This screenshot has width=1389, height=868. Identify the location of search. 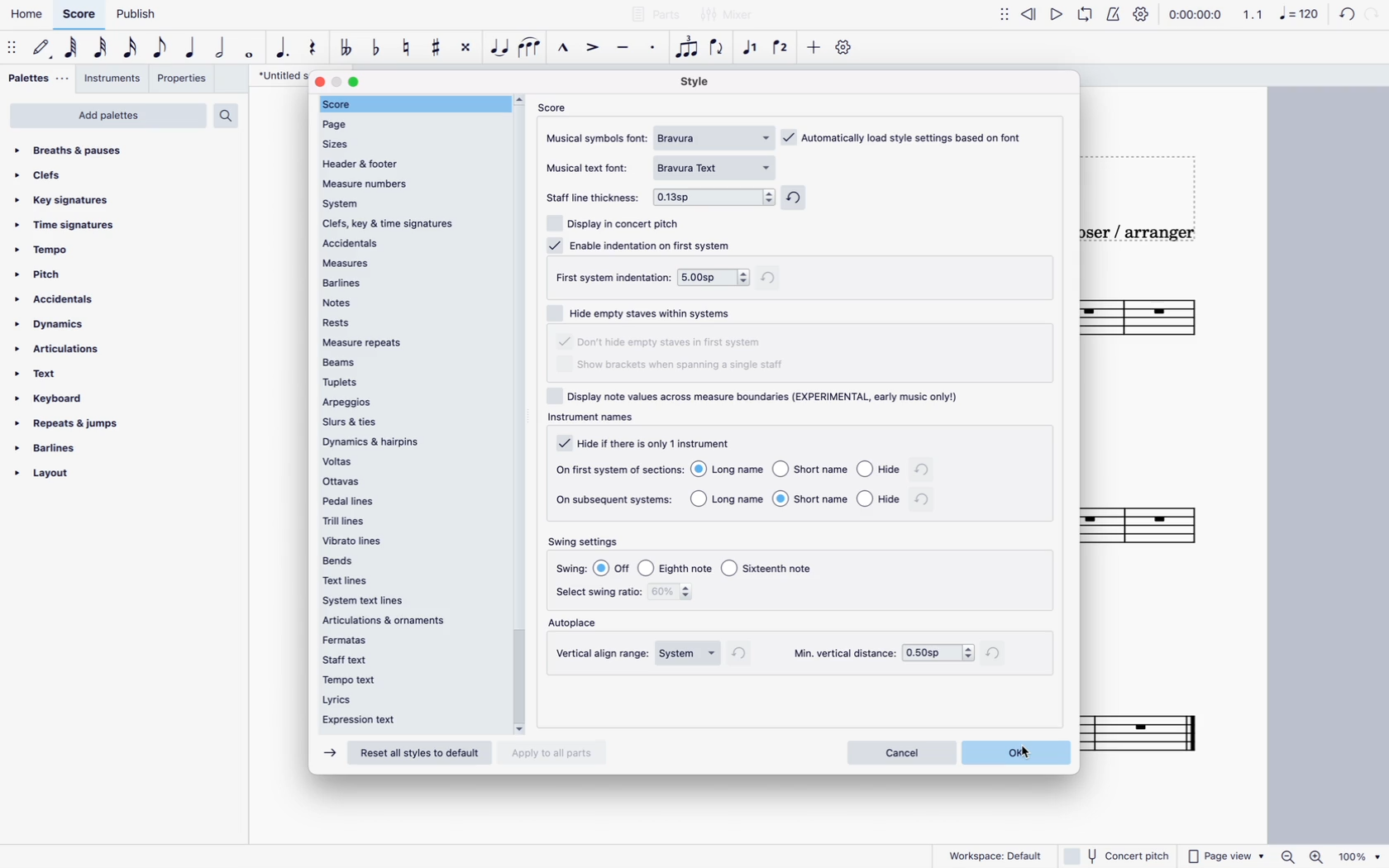
(231, 116).